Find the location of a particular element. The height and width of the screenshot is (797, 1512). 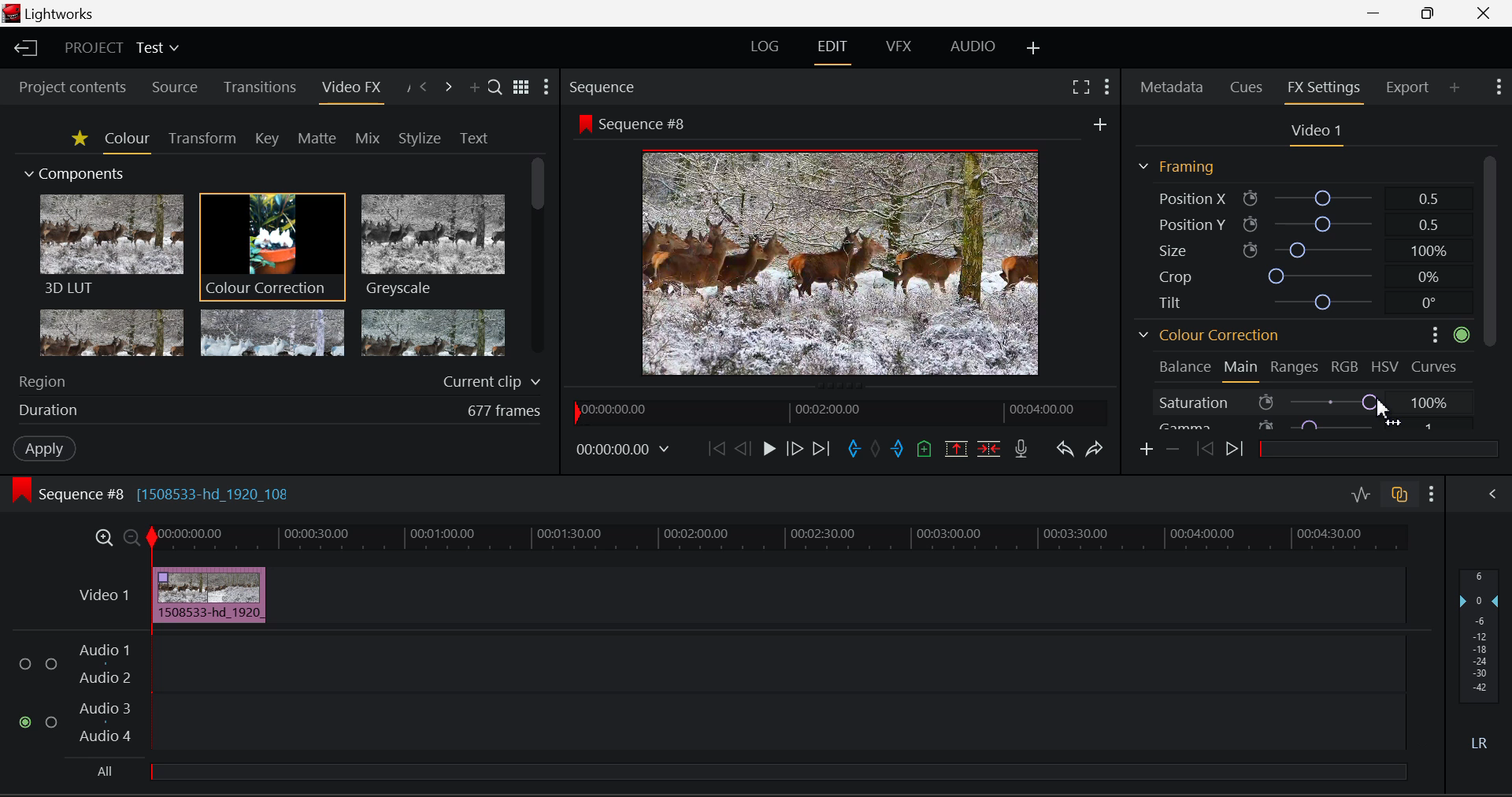

Timeline Zoom In is located at coordinates (103, 539).